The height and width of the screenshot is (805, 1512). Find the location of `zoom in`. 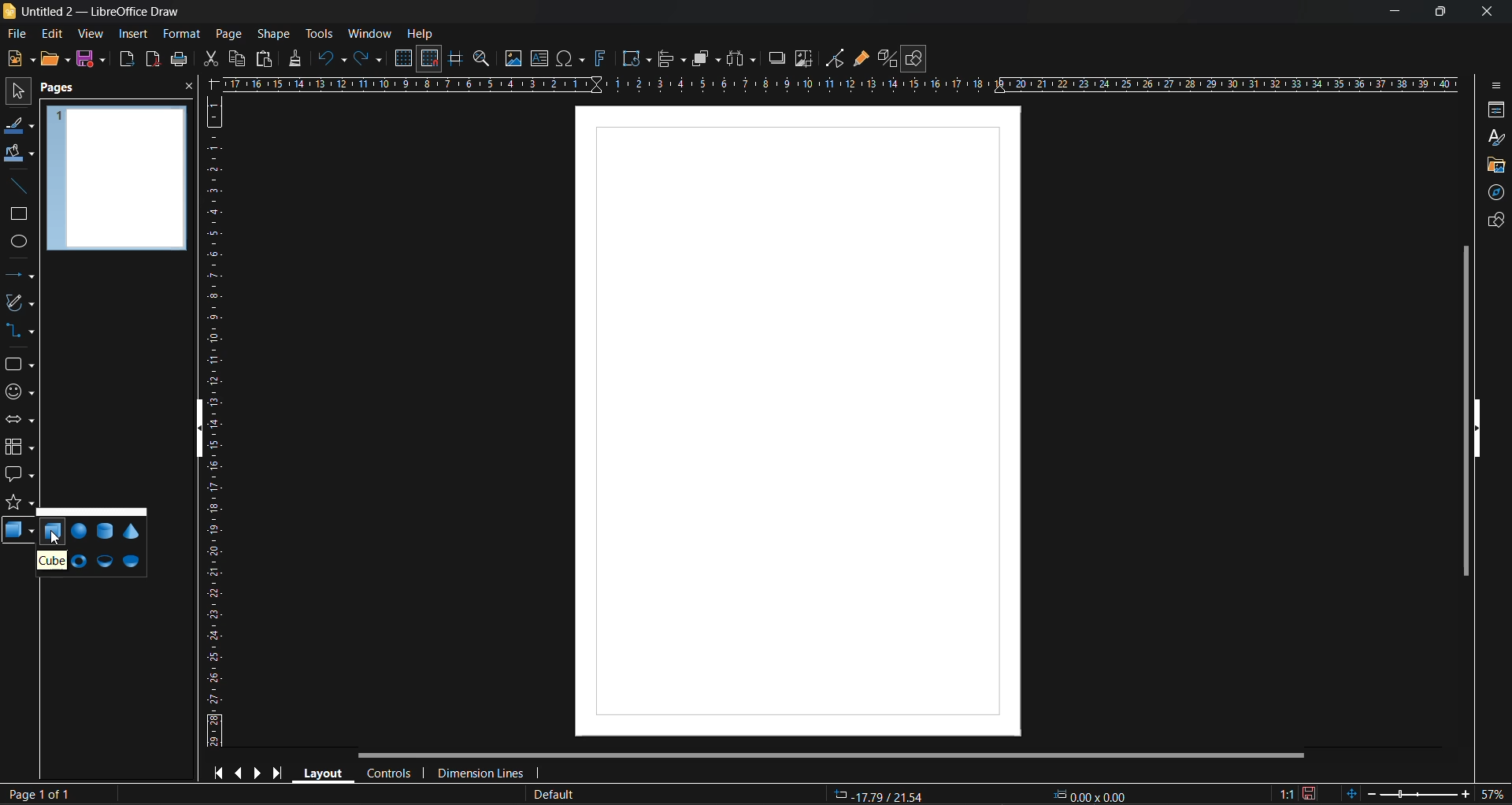

zoom in is located at coordinates (1466, 795).